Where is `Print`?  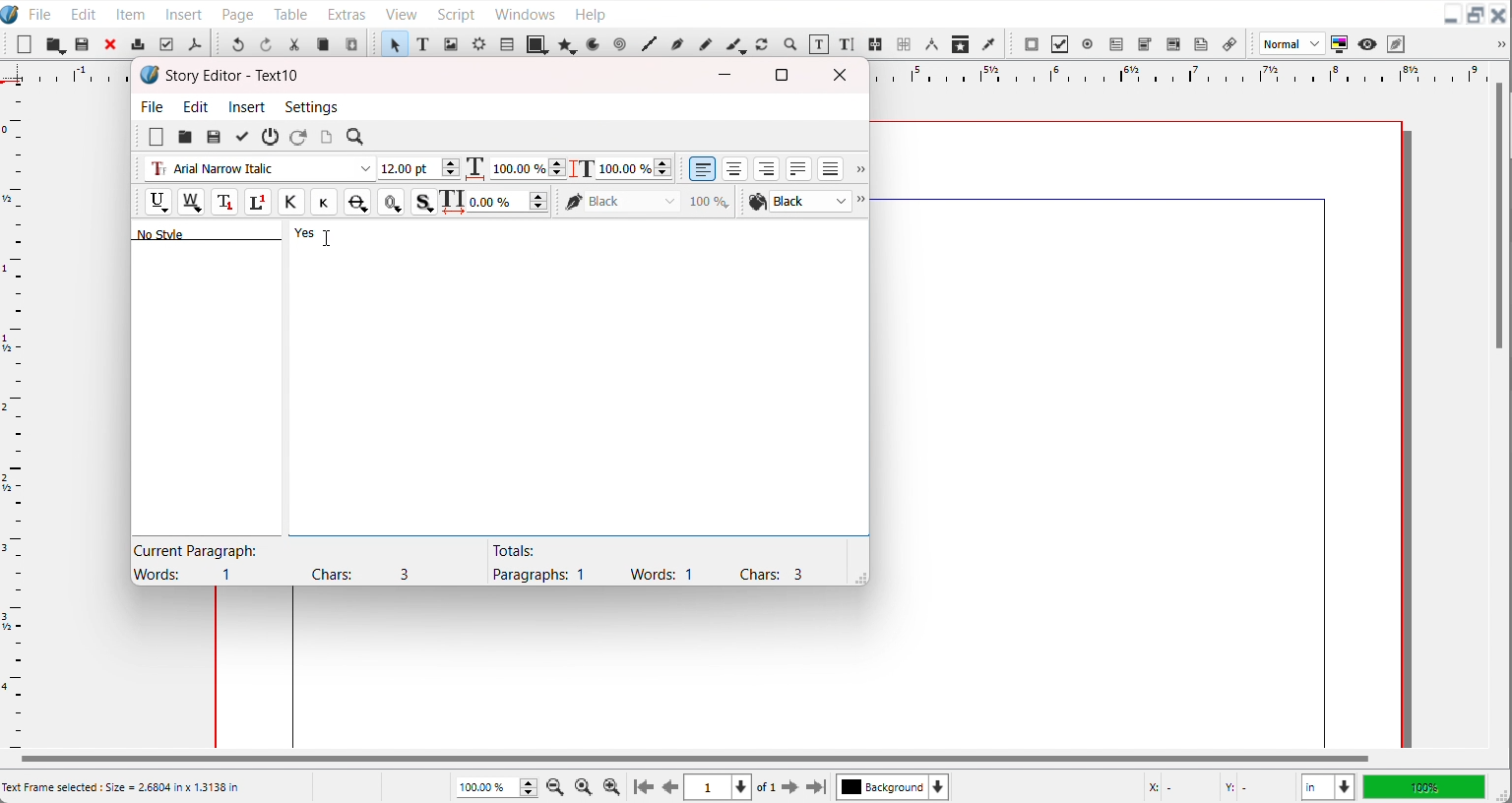
Print is located at coordinates (139, 43).